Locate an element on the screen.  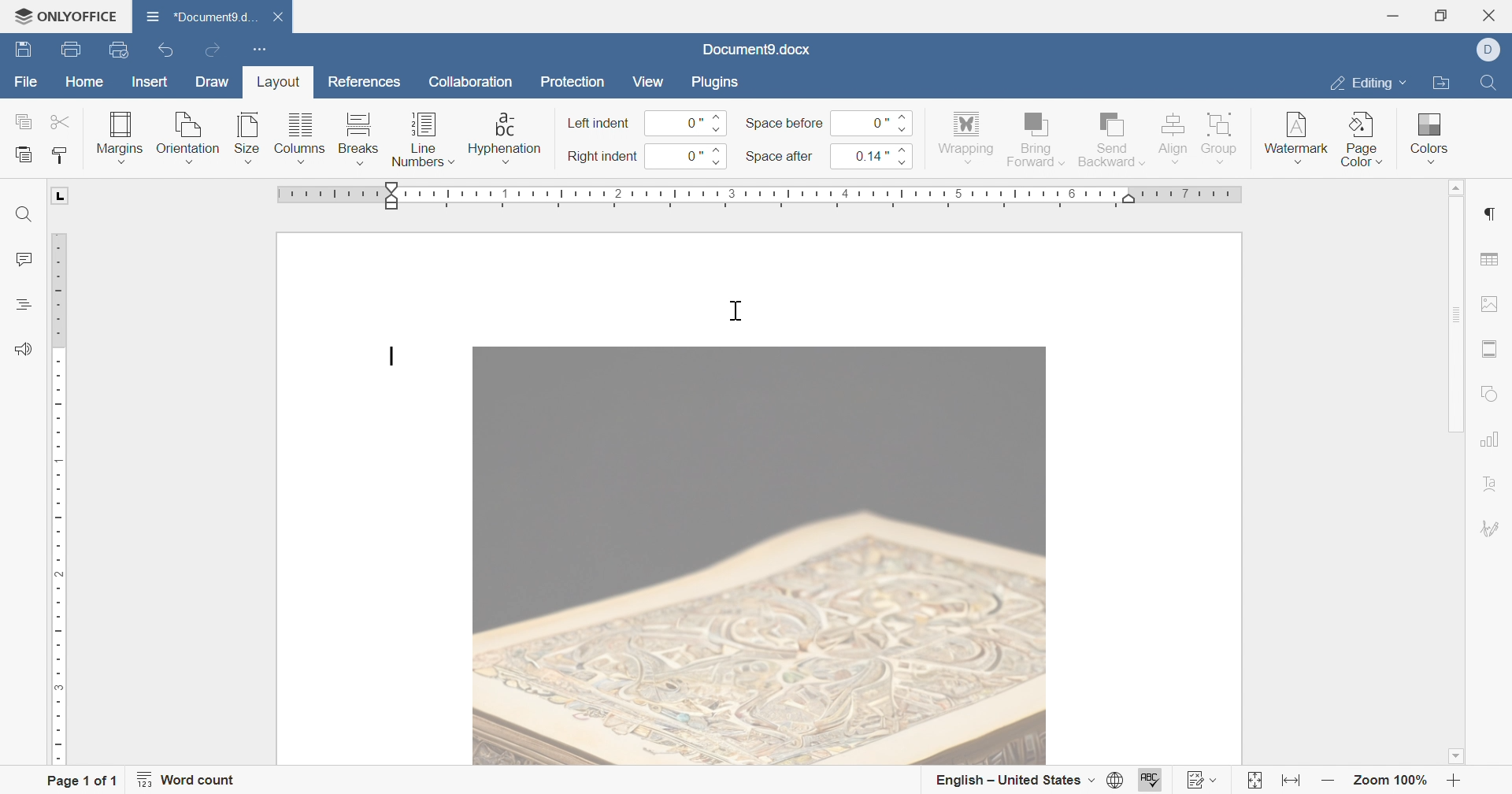
space after is located at coordinates (780, 158).